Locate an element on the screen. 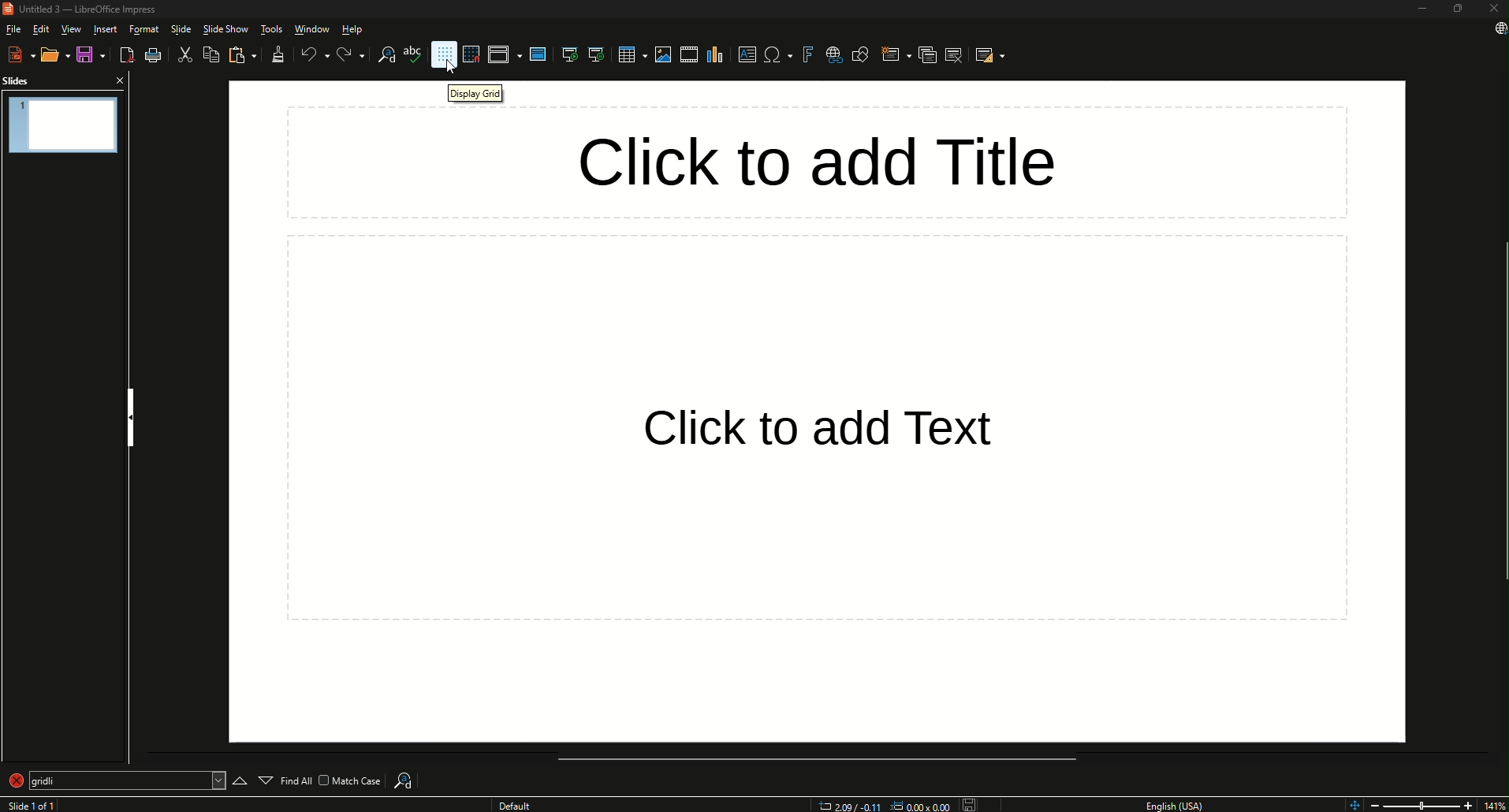  New is located at coordinates (17, 54).